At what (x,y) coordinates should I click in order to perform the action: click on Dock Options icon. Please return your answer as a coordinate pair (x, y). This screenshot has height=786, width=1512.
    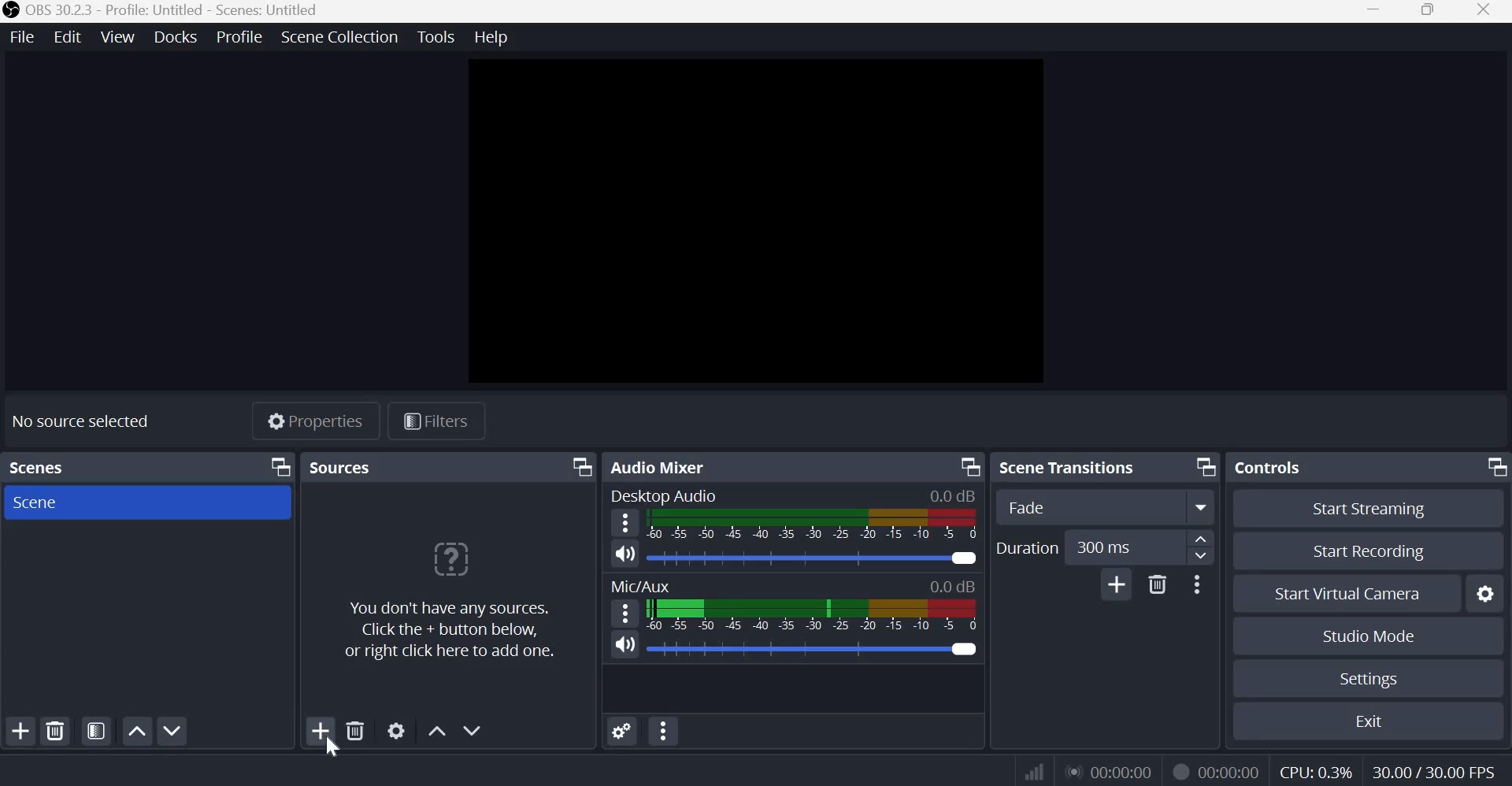
    Looking at the image, I should click on (1493, 465).